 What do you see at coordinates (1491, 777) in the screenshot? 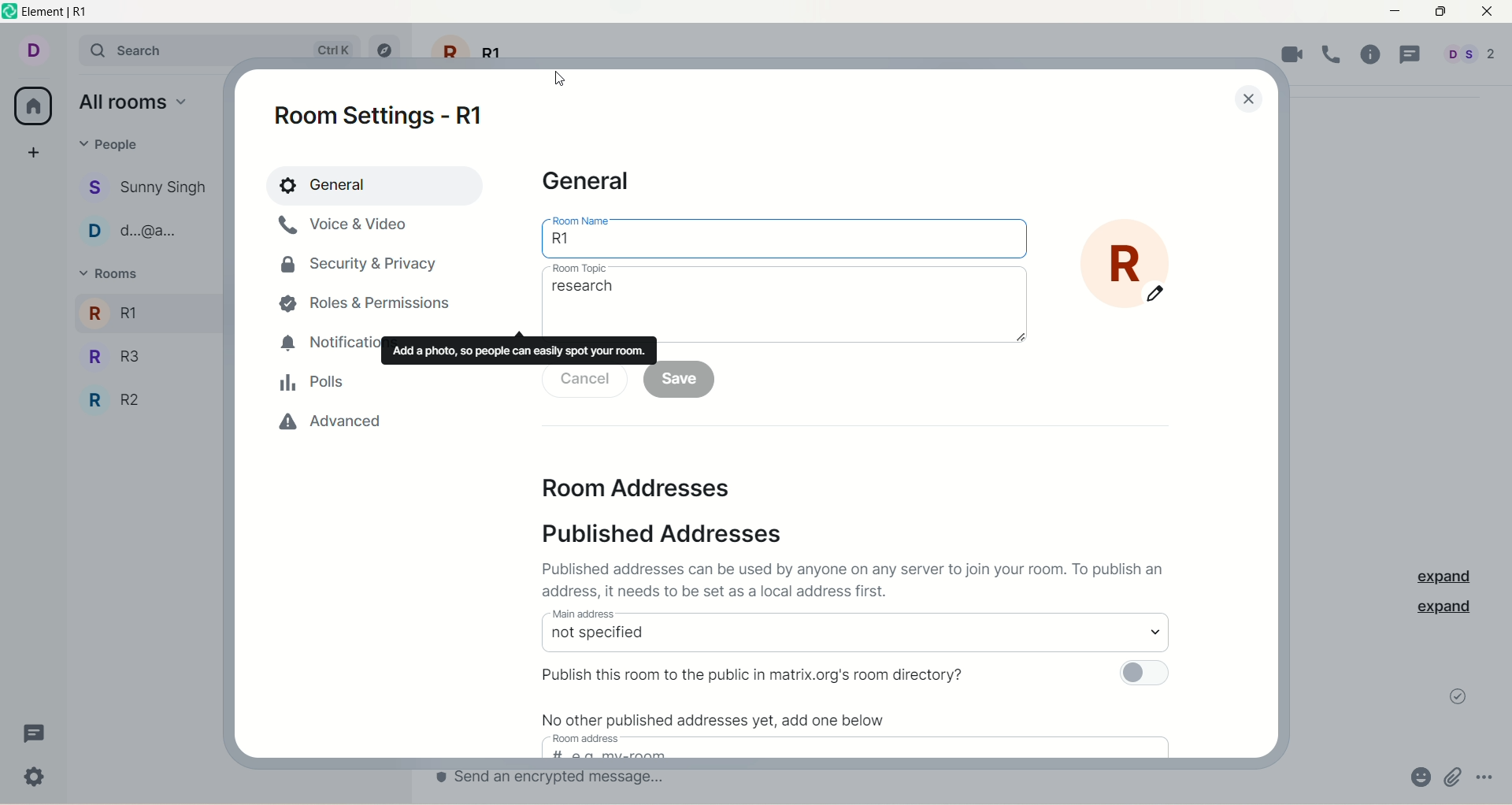
I see `options` at bounding box center [1491, 777].